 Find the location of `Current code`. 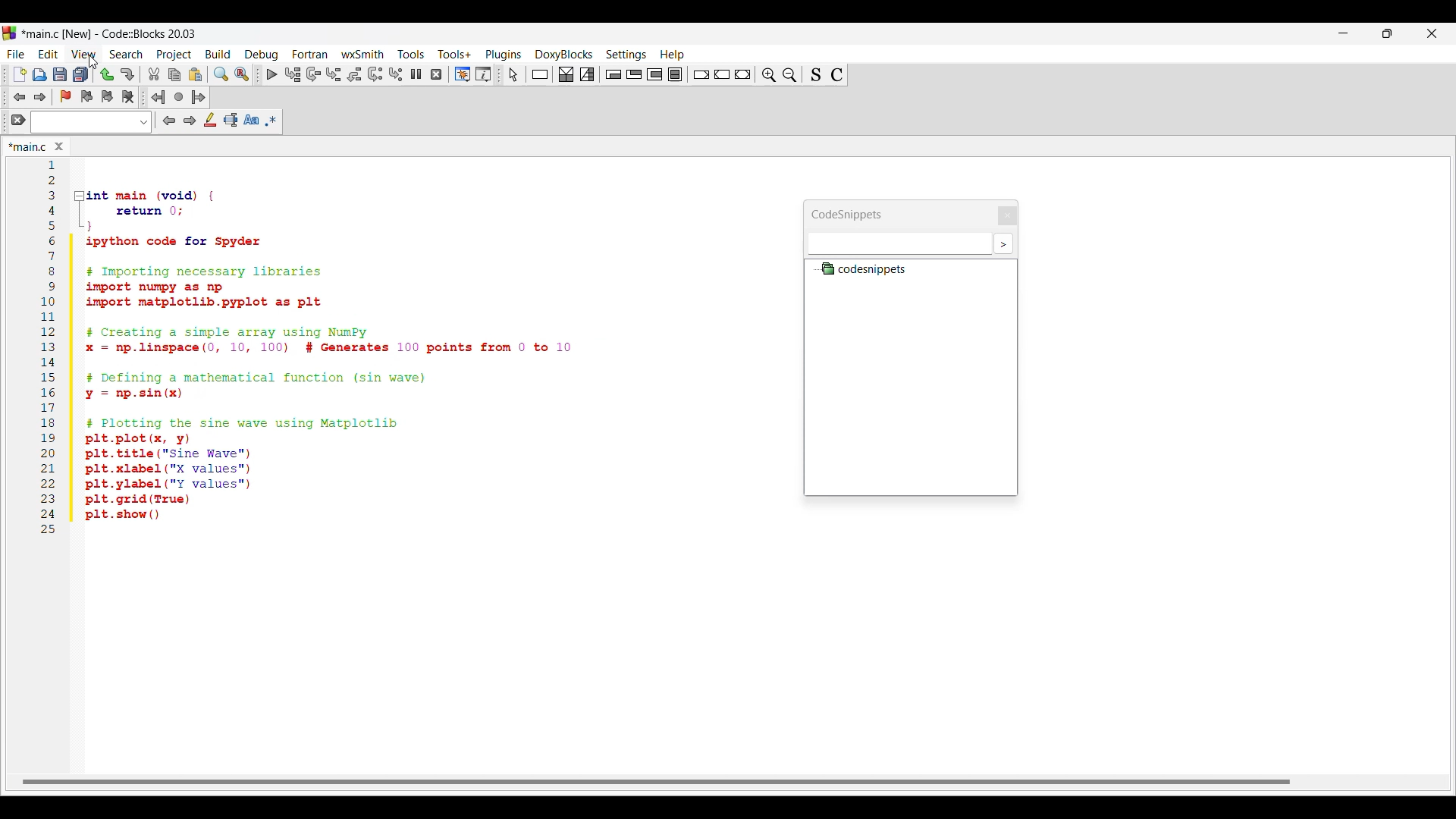

Current code is located at coordinates (291, 347).